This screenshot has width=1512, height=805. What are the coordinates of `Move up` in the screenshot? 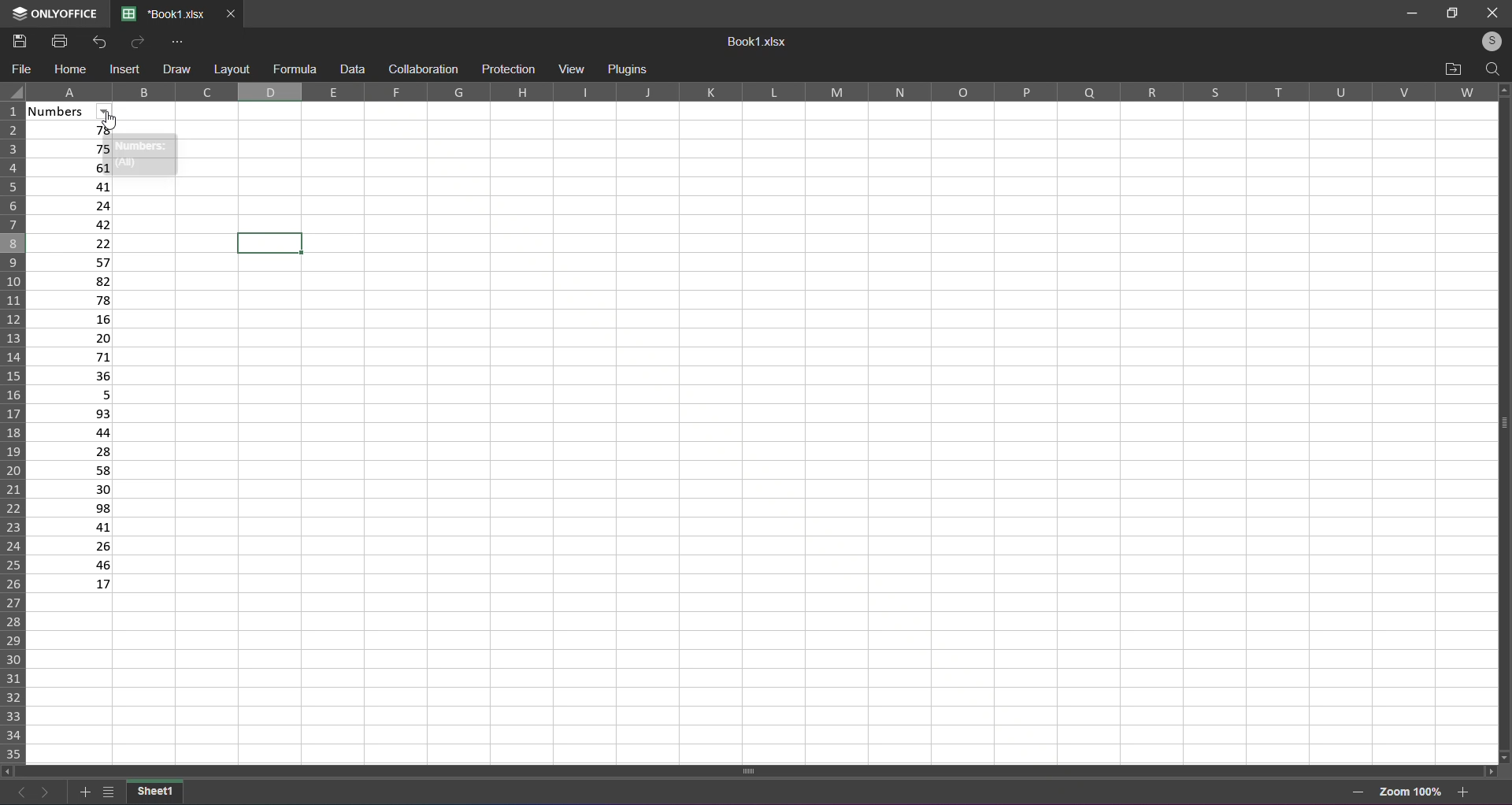 It's located at (1503, 90).